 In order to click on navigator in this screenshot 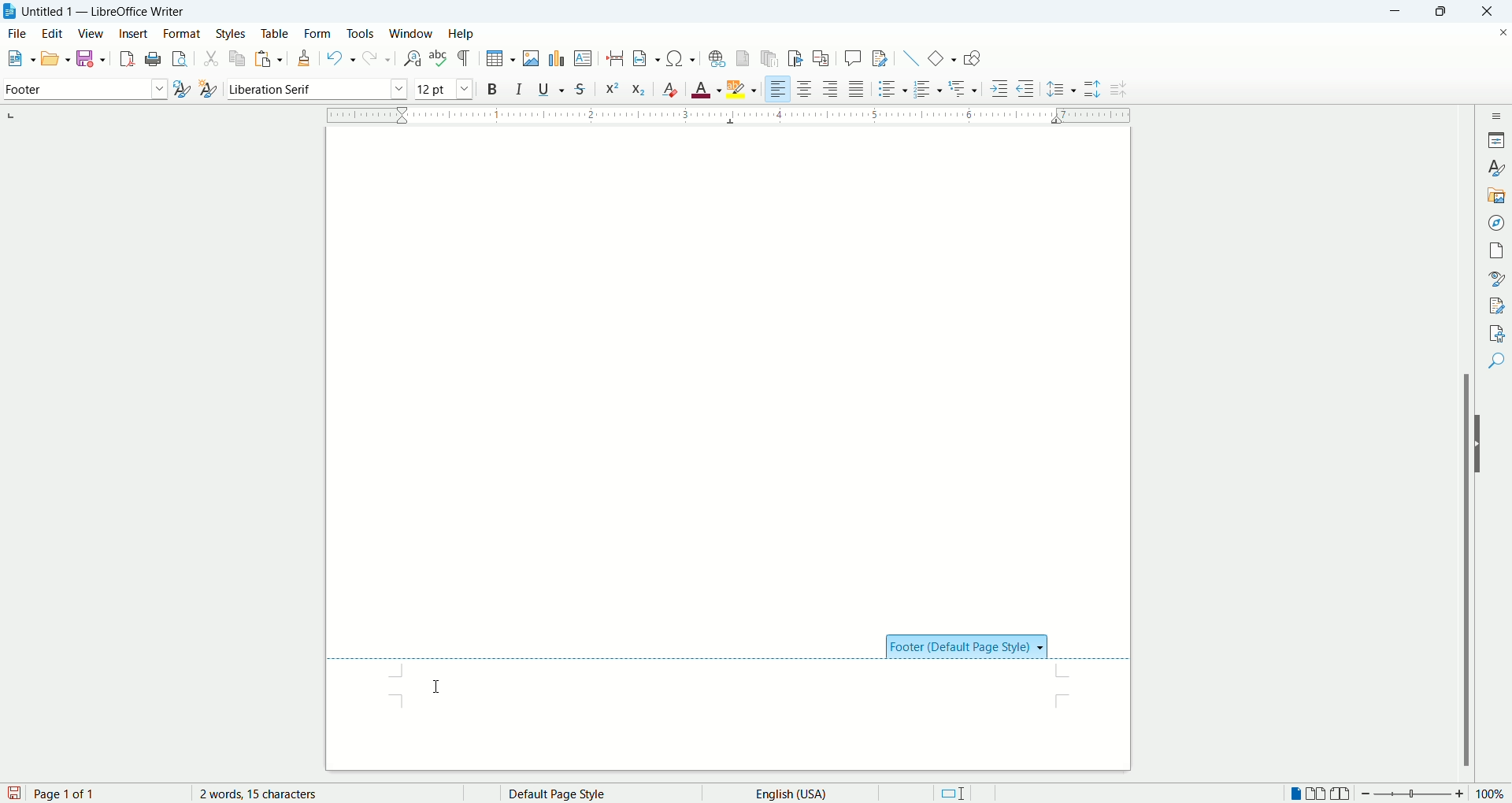, I will do `click(1499, 221)`.